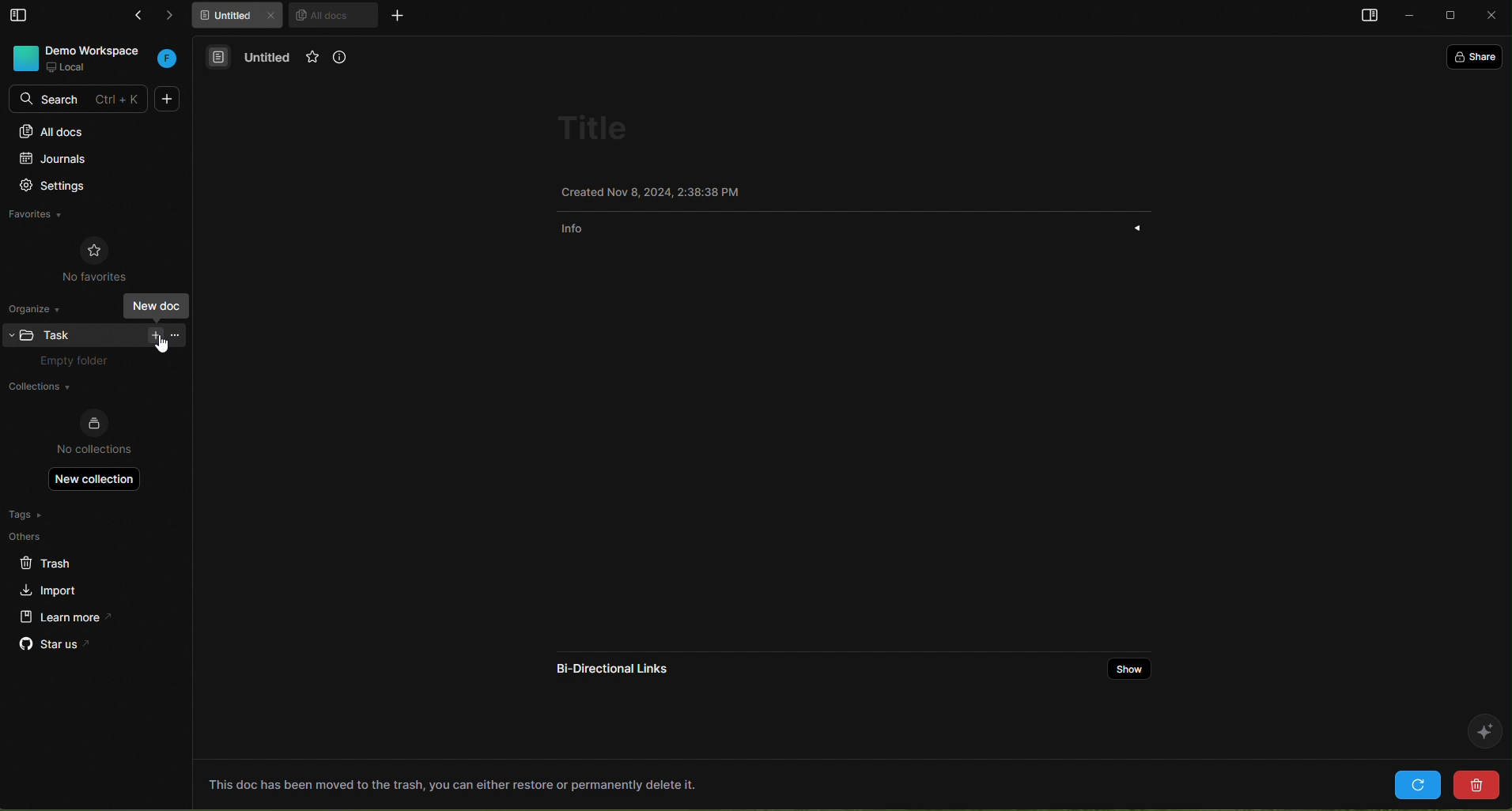 The height and width of the screenshot is (811, 1512). What do you see at coordinates (153, 335) in the screenshot?
I see `new doc` at bounding box center [153, 335].